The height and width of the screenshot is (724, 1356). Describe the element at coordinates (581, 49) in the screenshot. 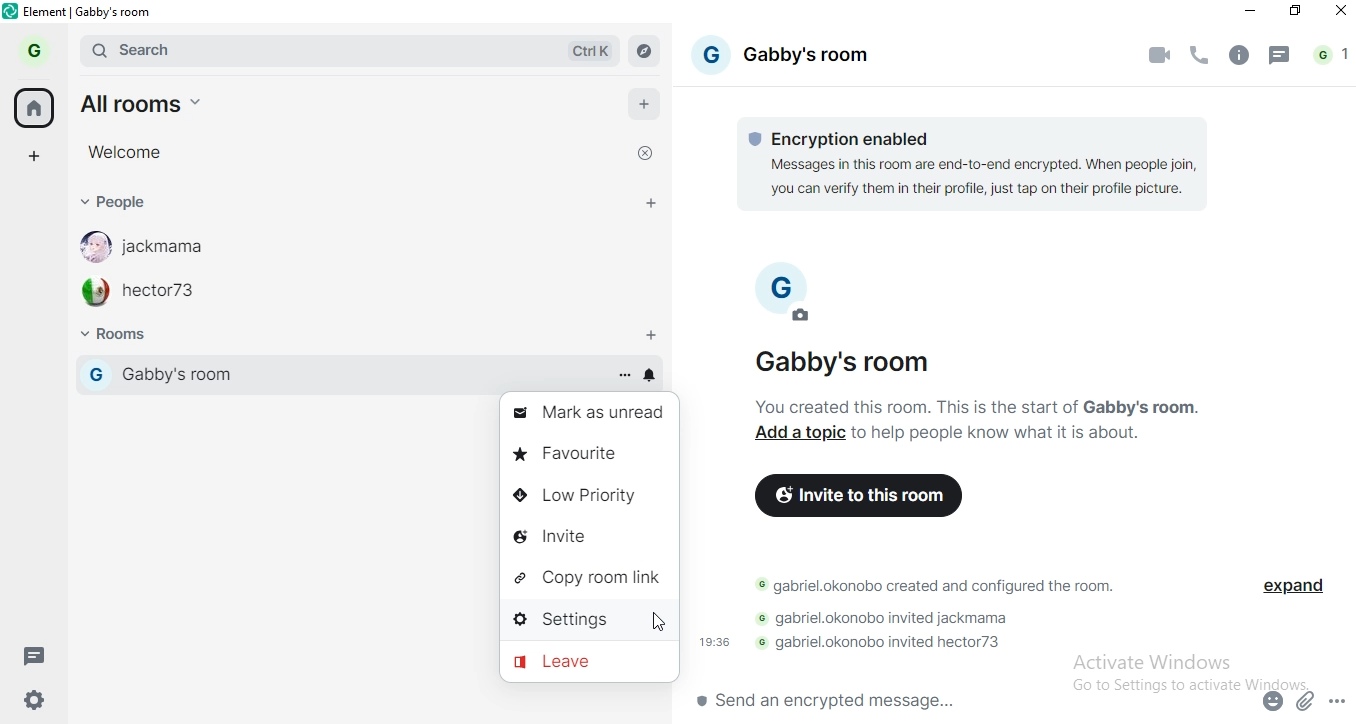

I see `ctrl k` at that location.